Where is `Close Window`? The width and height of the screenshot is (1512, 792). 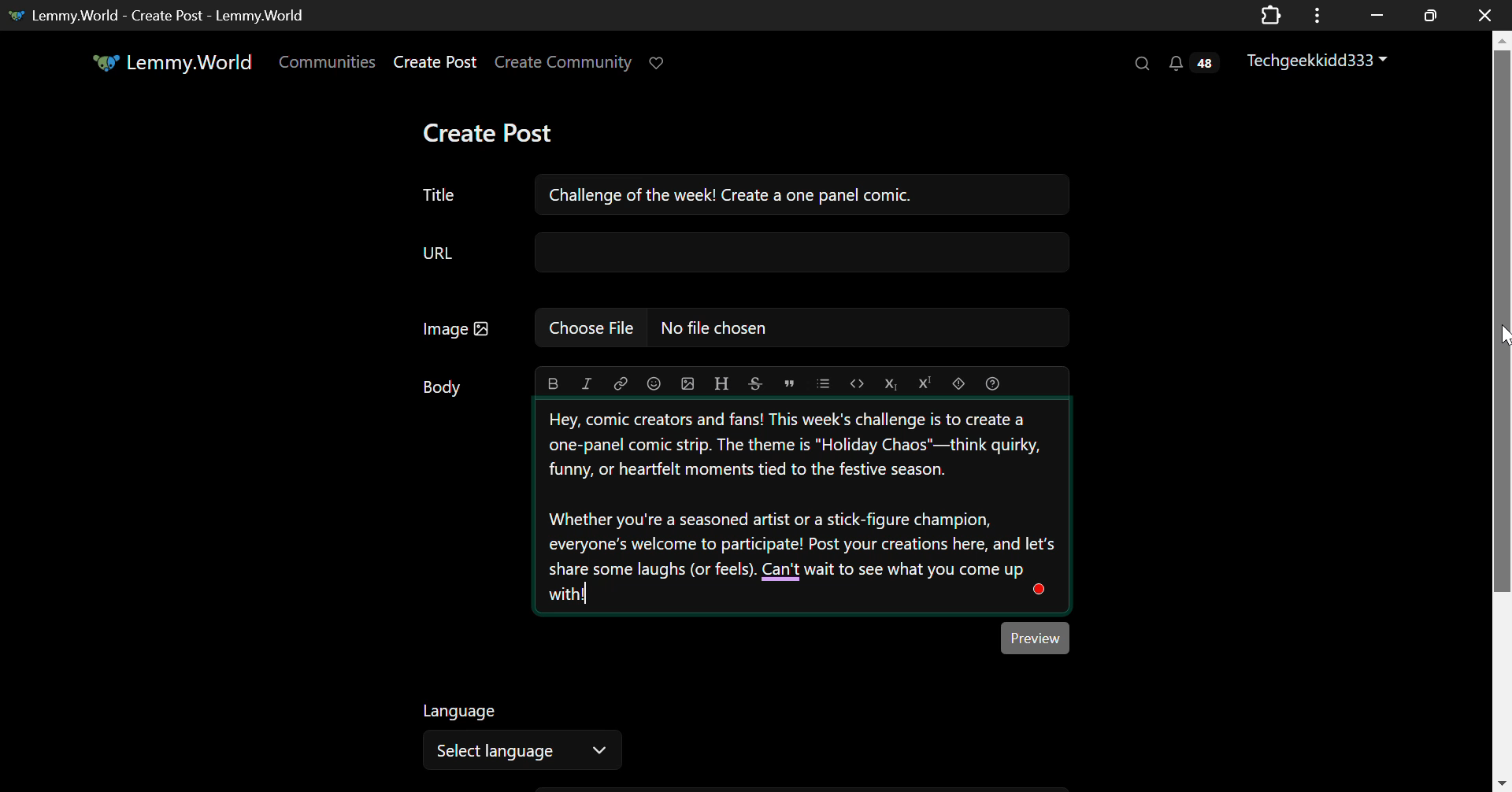
Close Window is located at coordinates (1480, 13).